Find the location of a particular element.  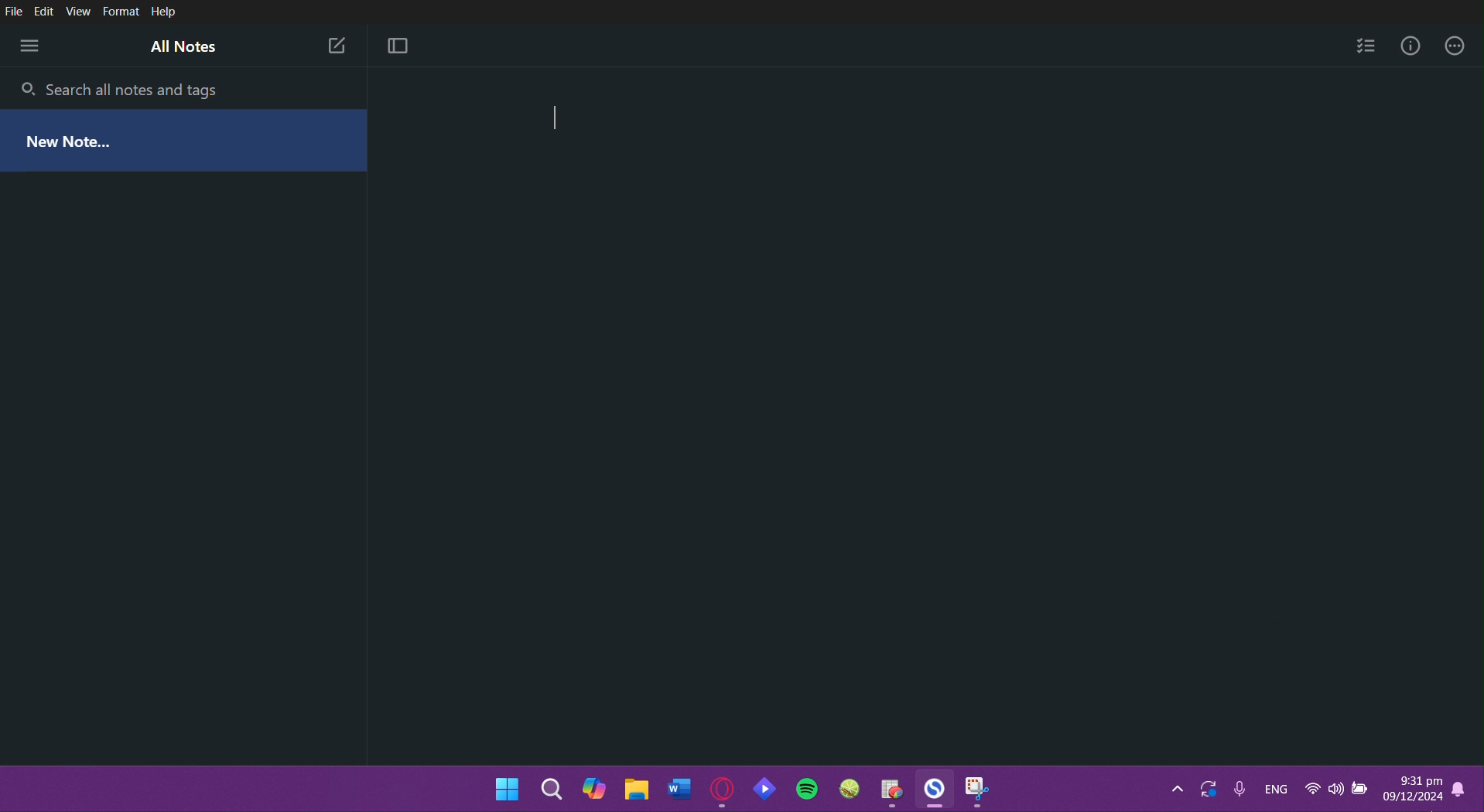

Checklist is located at coordinates (1365, 46).